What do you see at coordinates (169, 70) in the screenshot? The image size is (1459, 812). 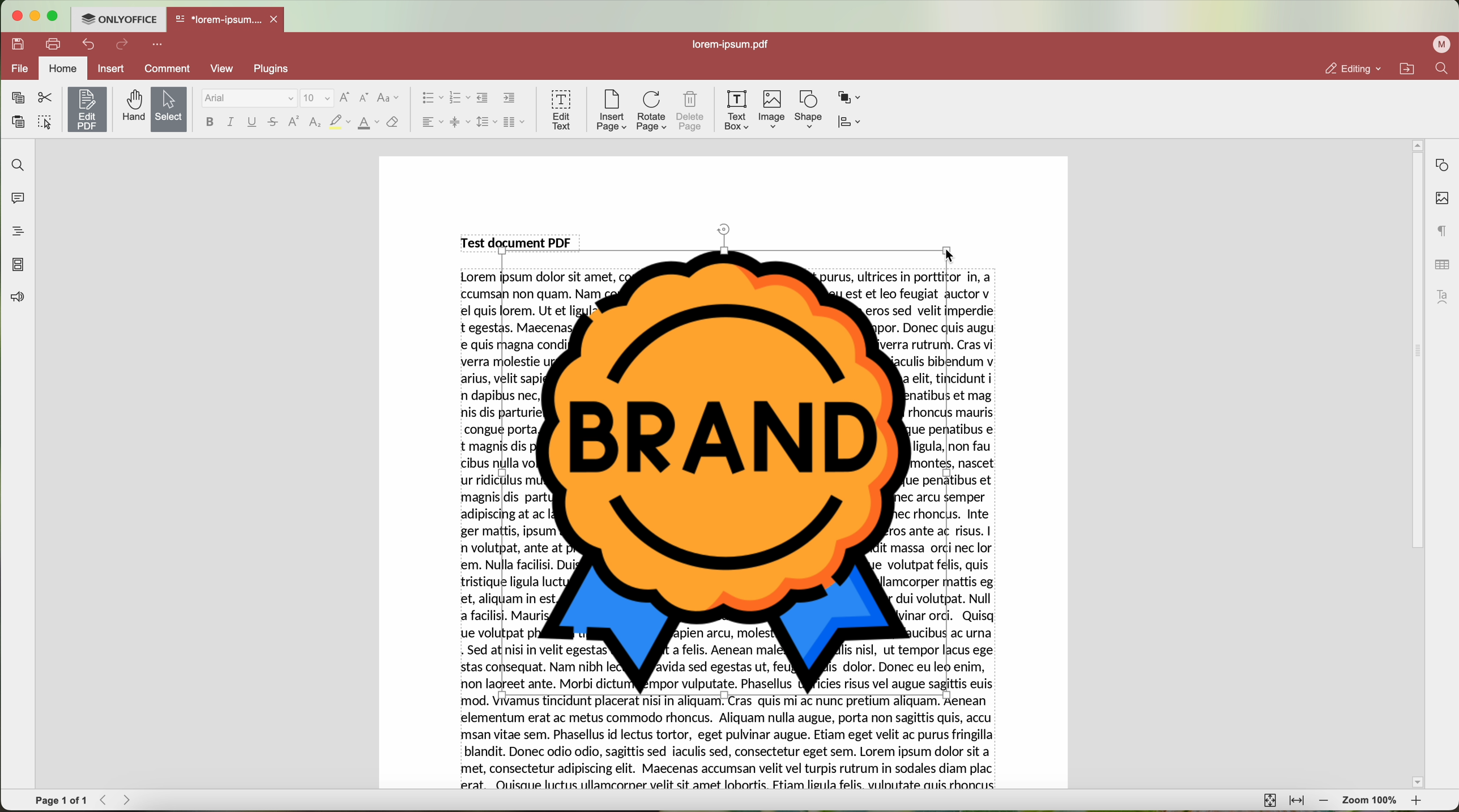 I see `comment` at bounding box center [169, 70].